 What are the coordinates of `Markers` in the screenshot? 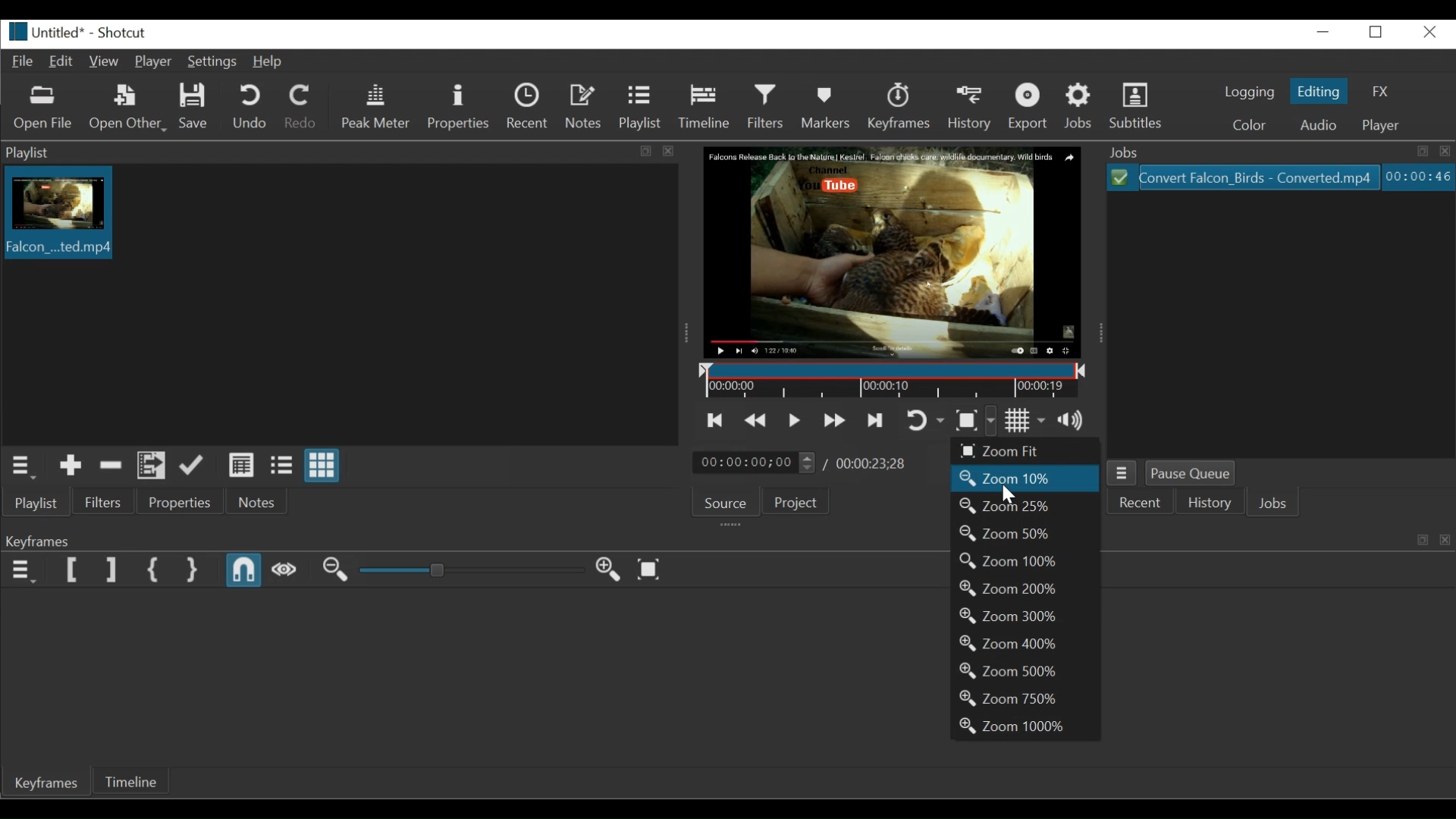 It's located at (827, 106).